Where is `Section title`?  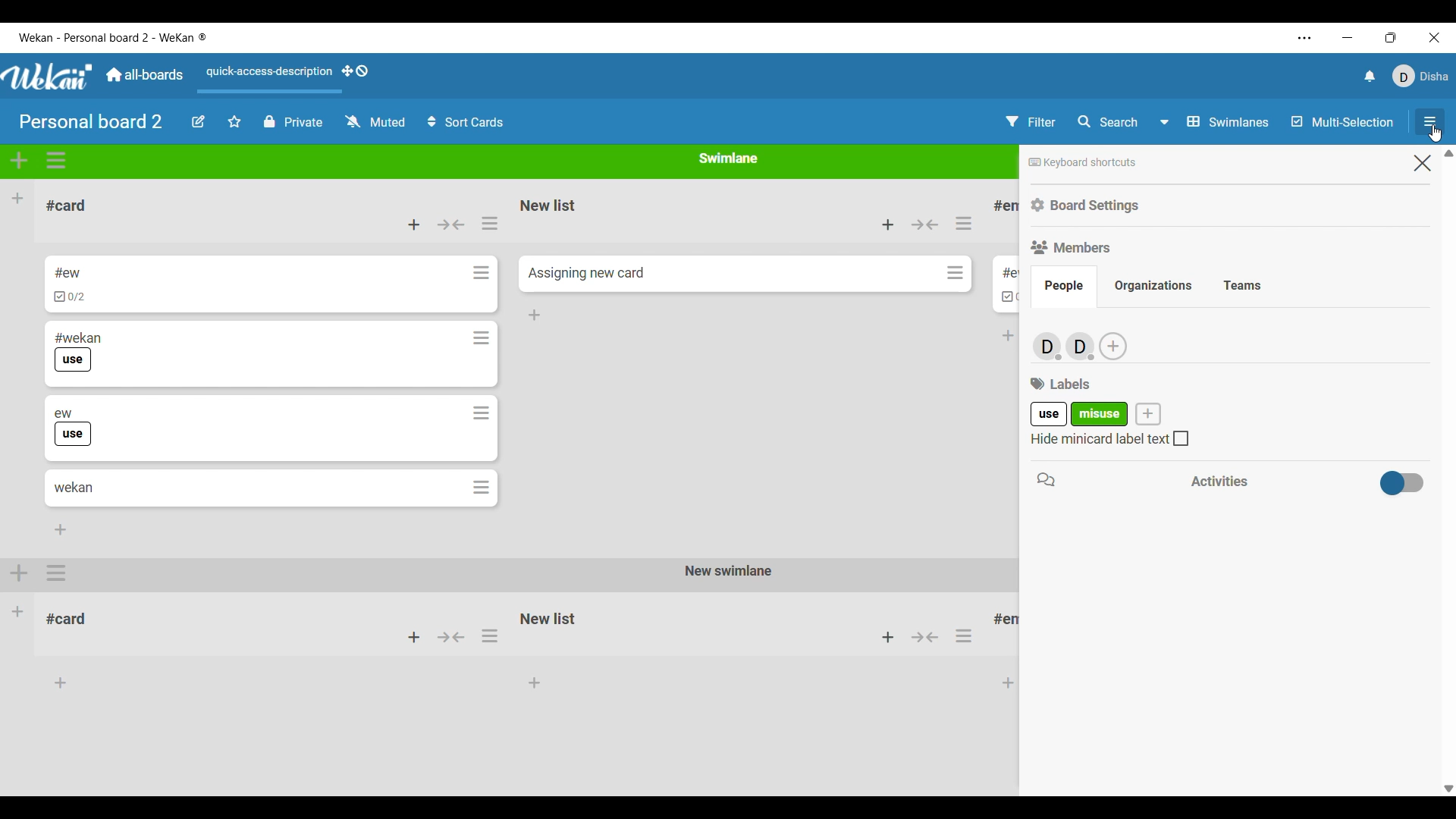
Section title is located at coordinates (1071, 248).